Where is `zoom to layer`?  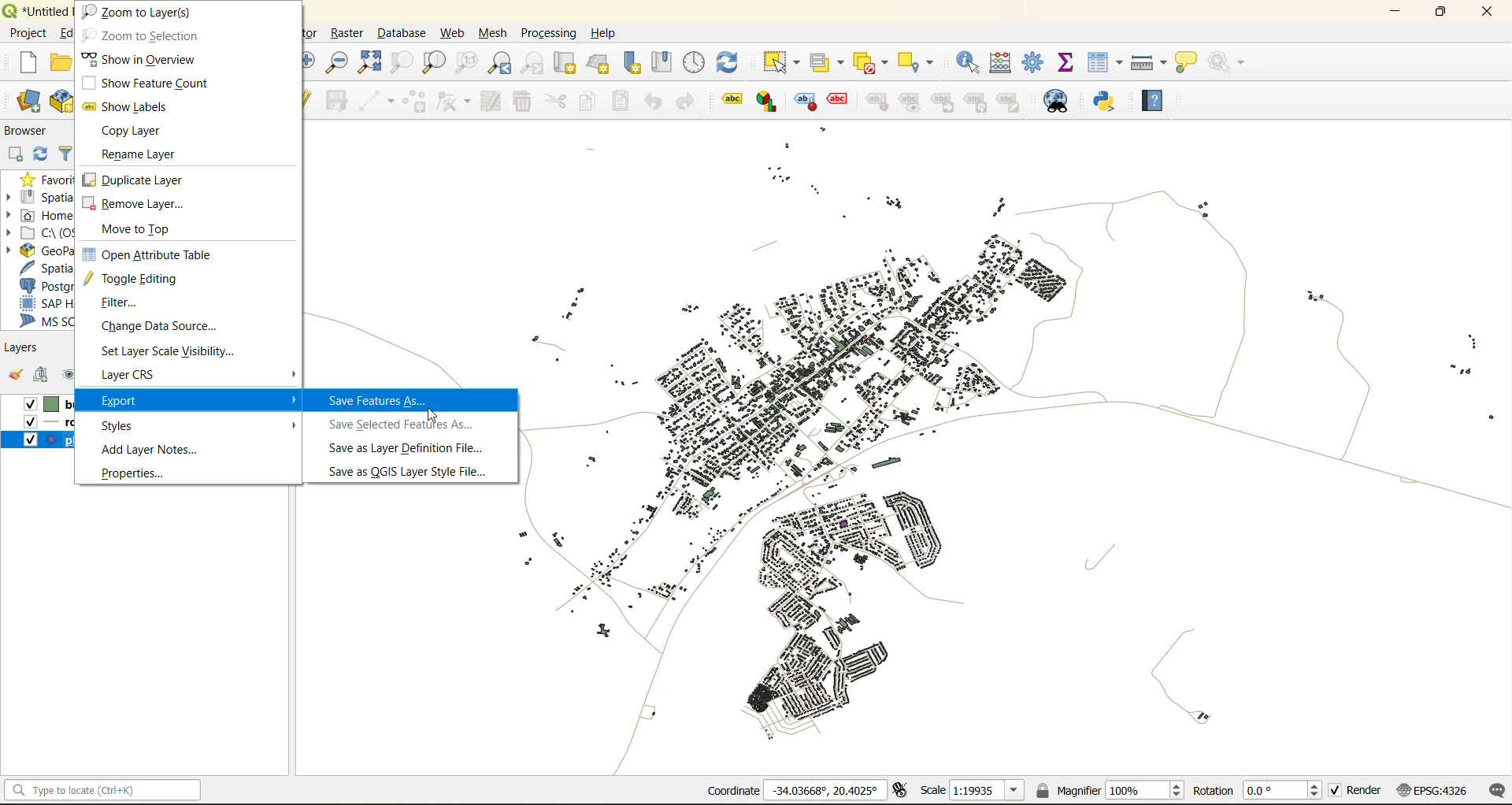
zoom to layer is located at coordinates (143, 12).